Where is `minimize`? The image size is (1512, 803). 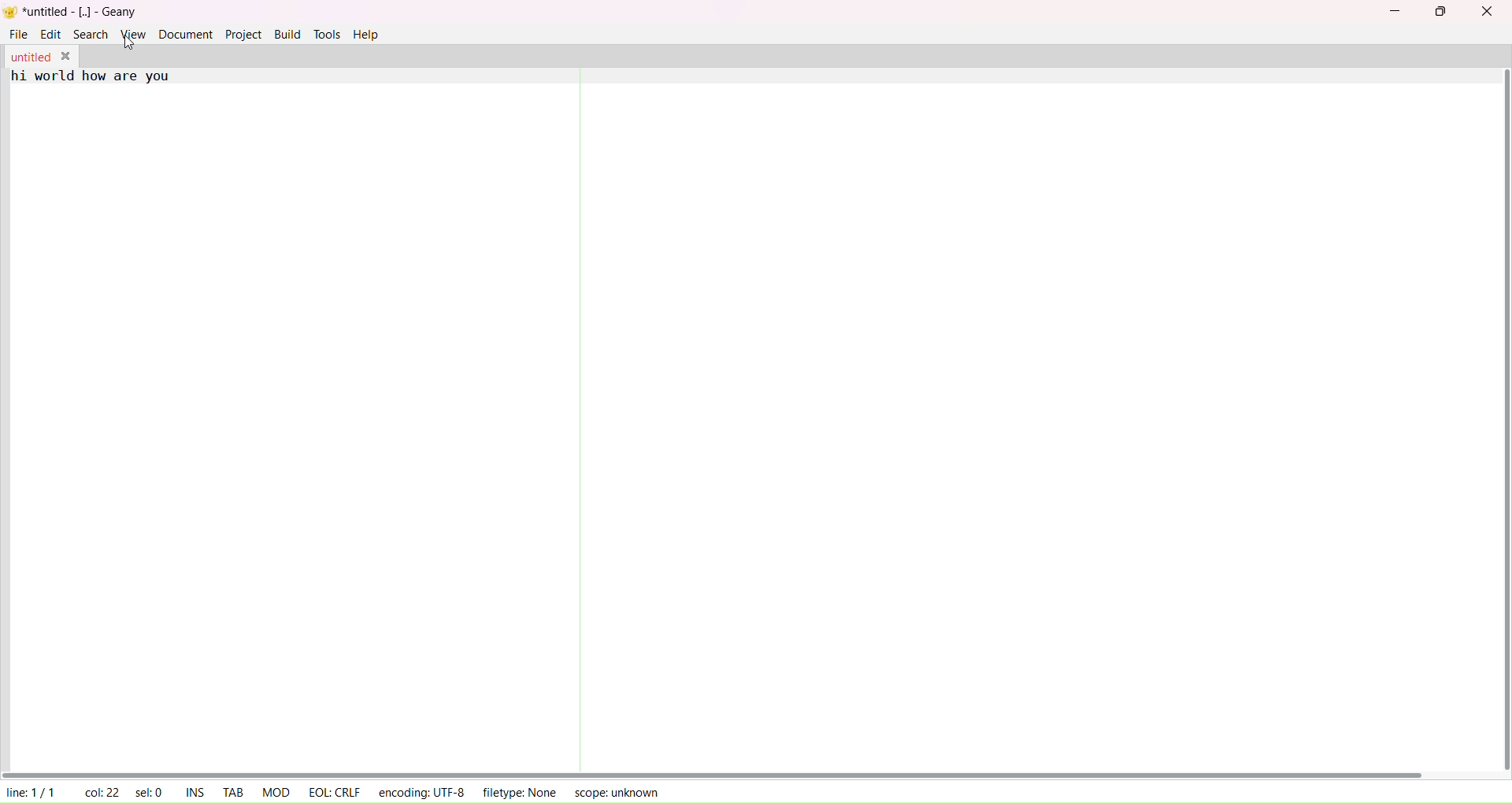
minimize is located at coordinates (1401, 9).